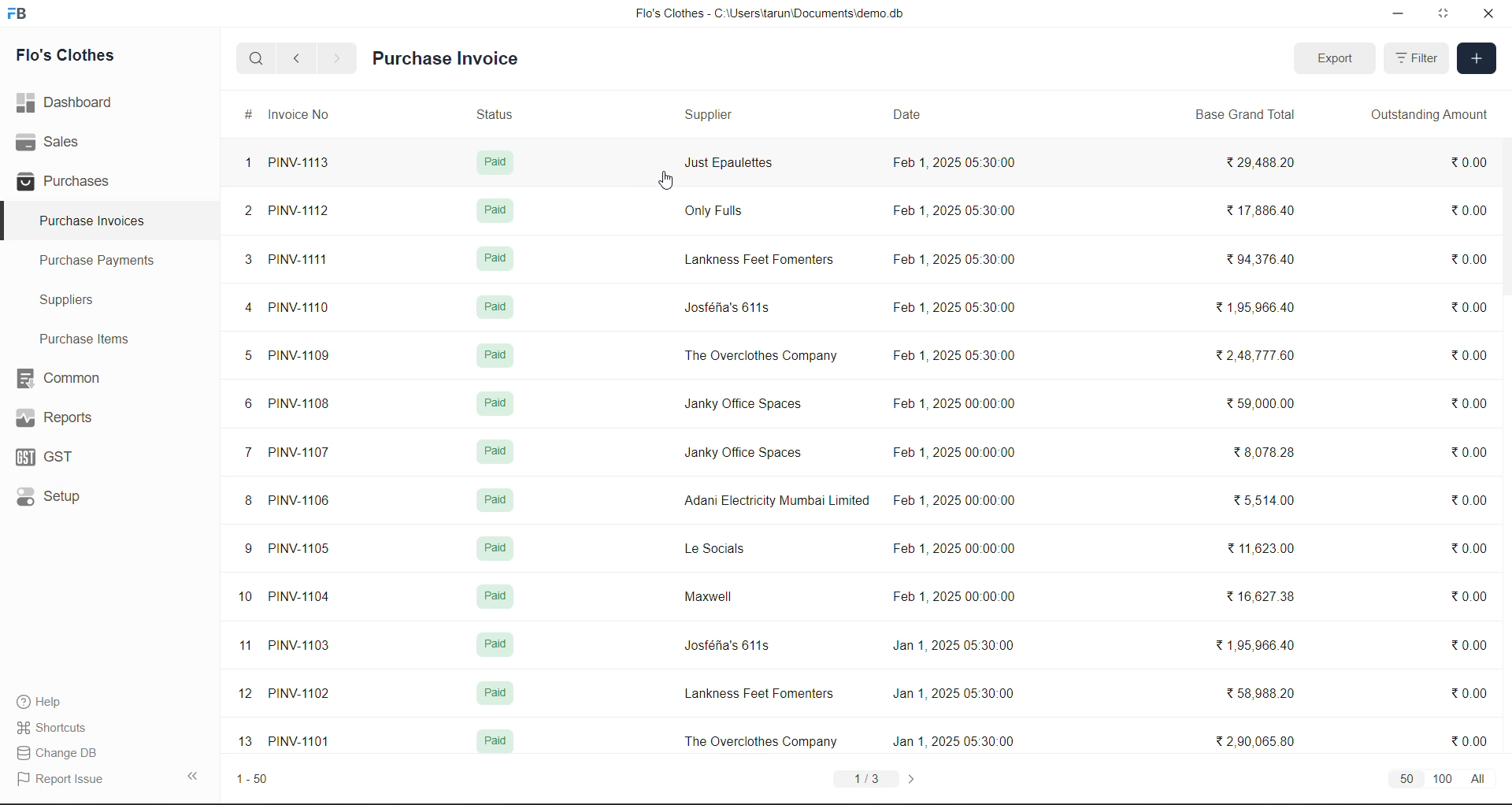  I want to click on Purchase Invoices, so click(93, 221).